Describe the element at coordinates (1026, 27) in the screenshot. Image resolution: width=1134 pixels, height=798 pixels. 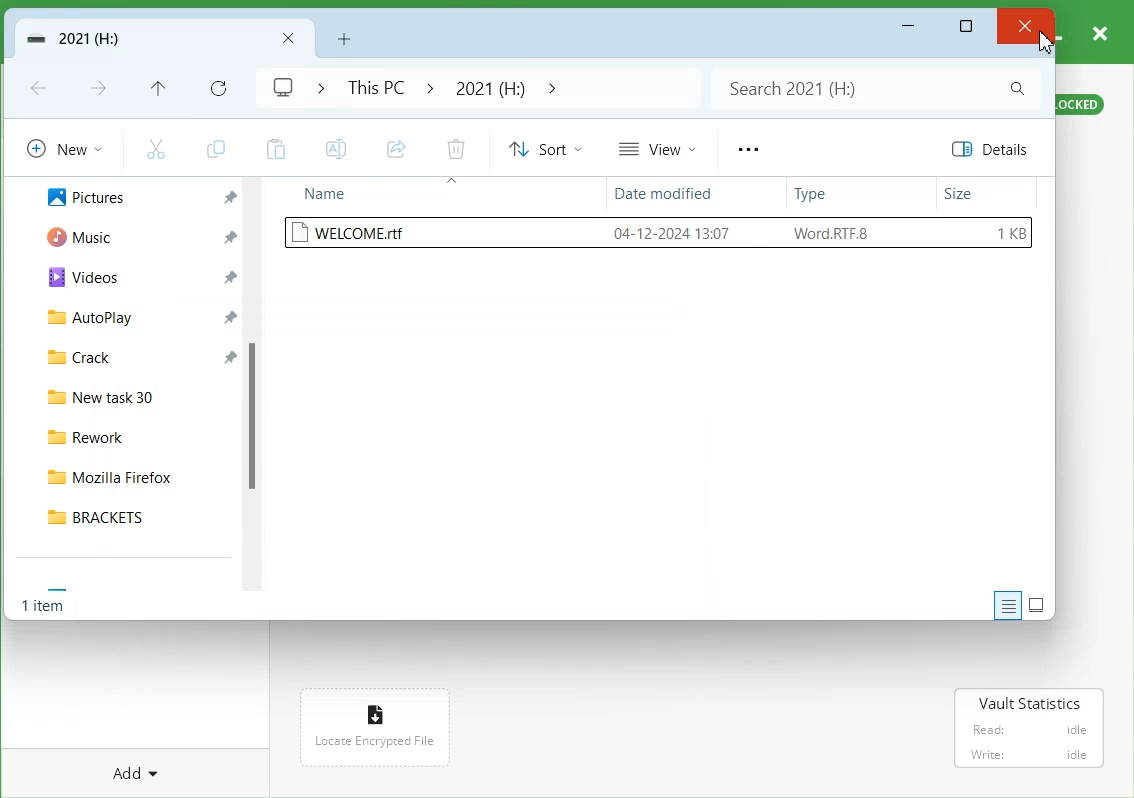
I see `close` at that location.